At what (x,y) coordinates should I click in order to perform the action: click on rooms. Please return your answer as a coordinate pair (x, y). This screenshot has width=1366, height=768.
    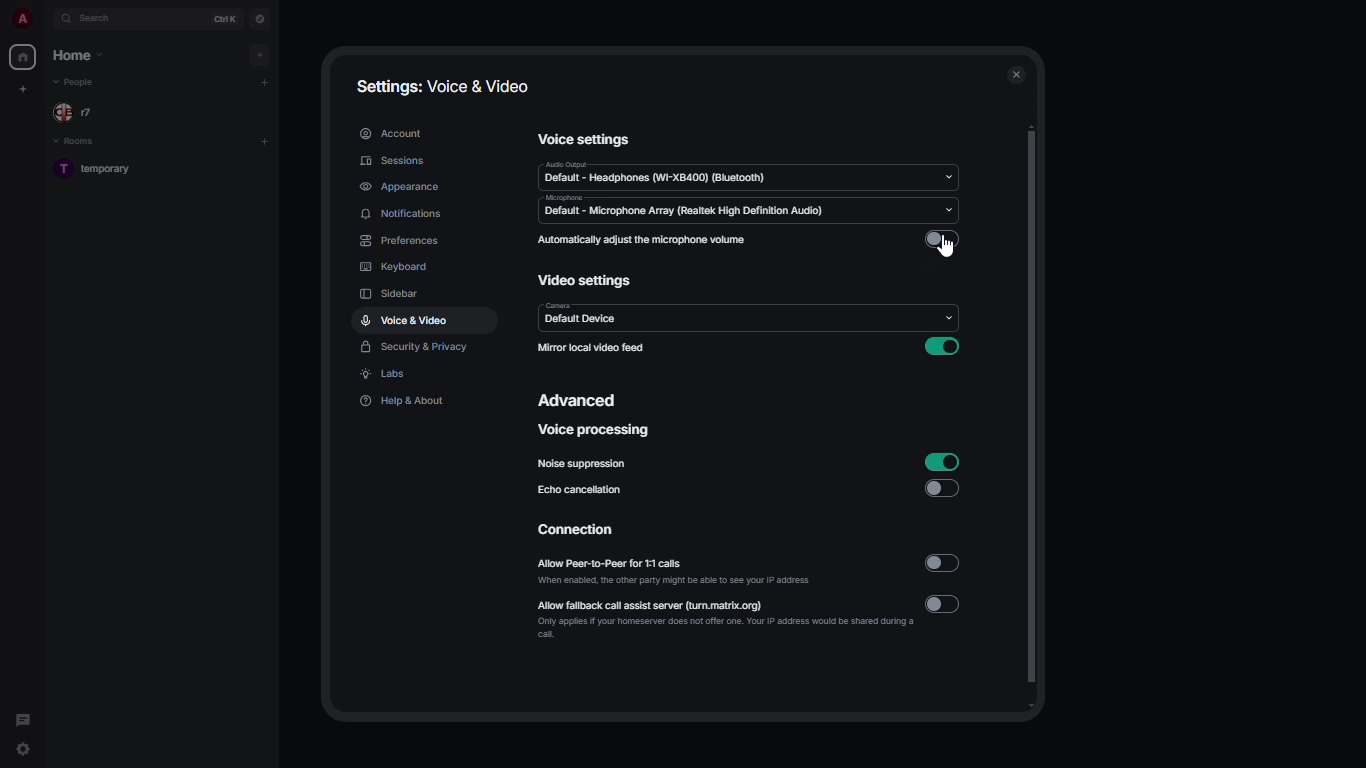
    Looking at the image, I should click on (78, 143).